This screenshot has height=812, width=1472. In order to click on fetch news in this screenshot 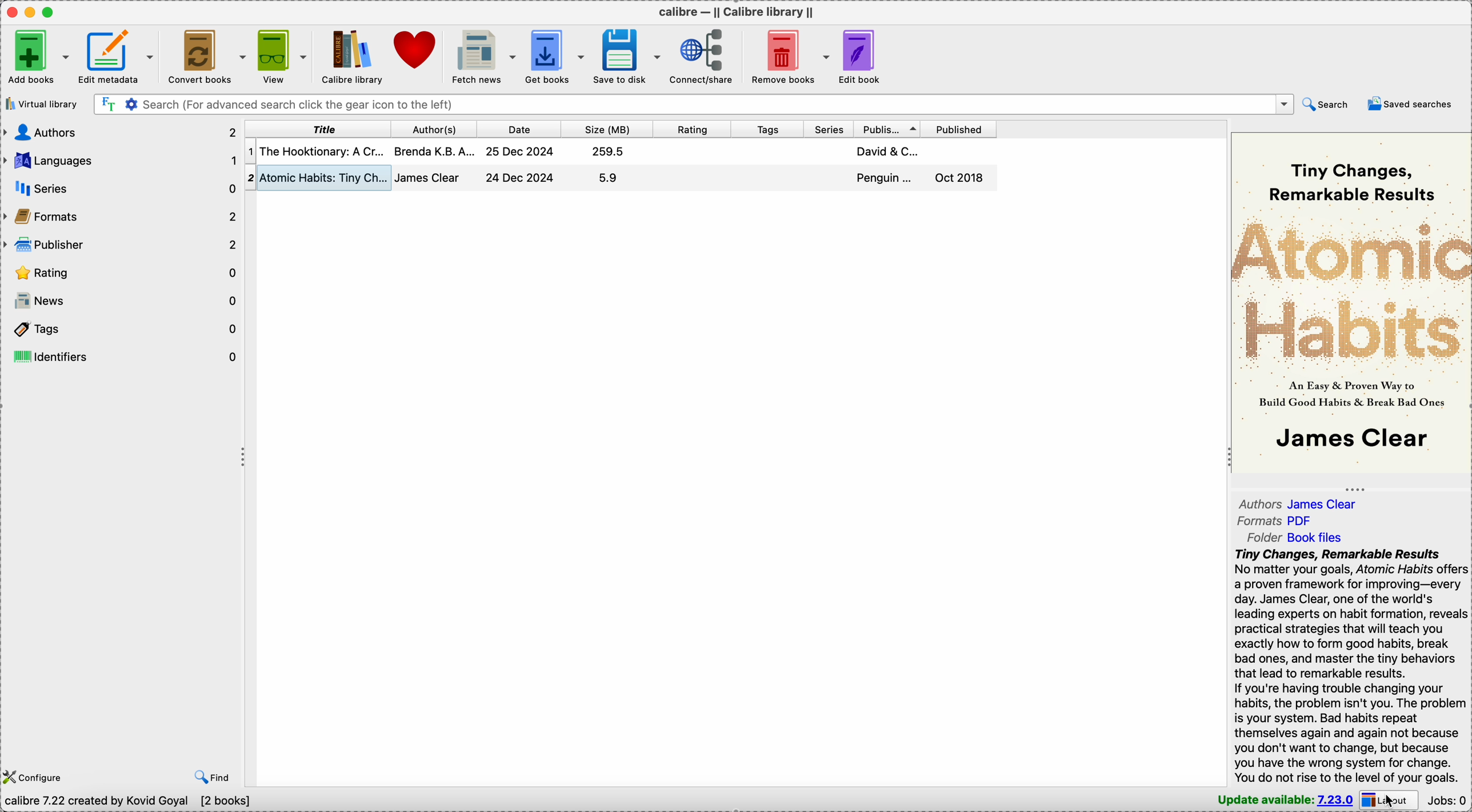, I will do `click(482, 55)`.